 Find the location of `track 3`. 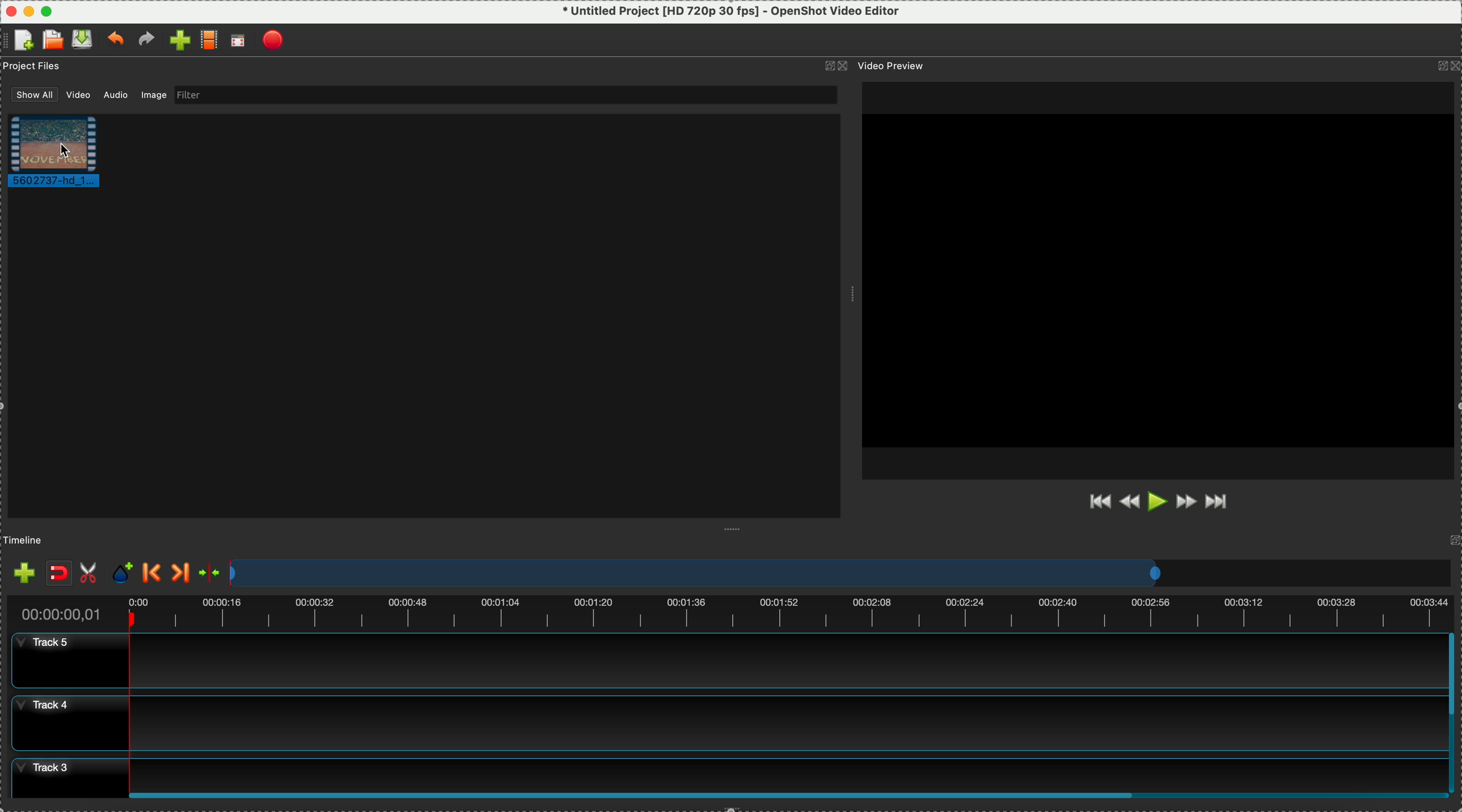

track 3 is located at coordinates (720, 771).